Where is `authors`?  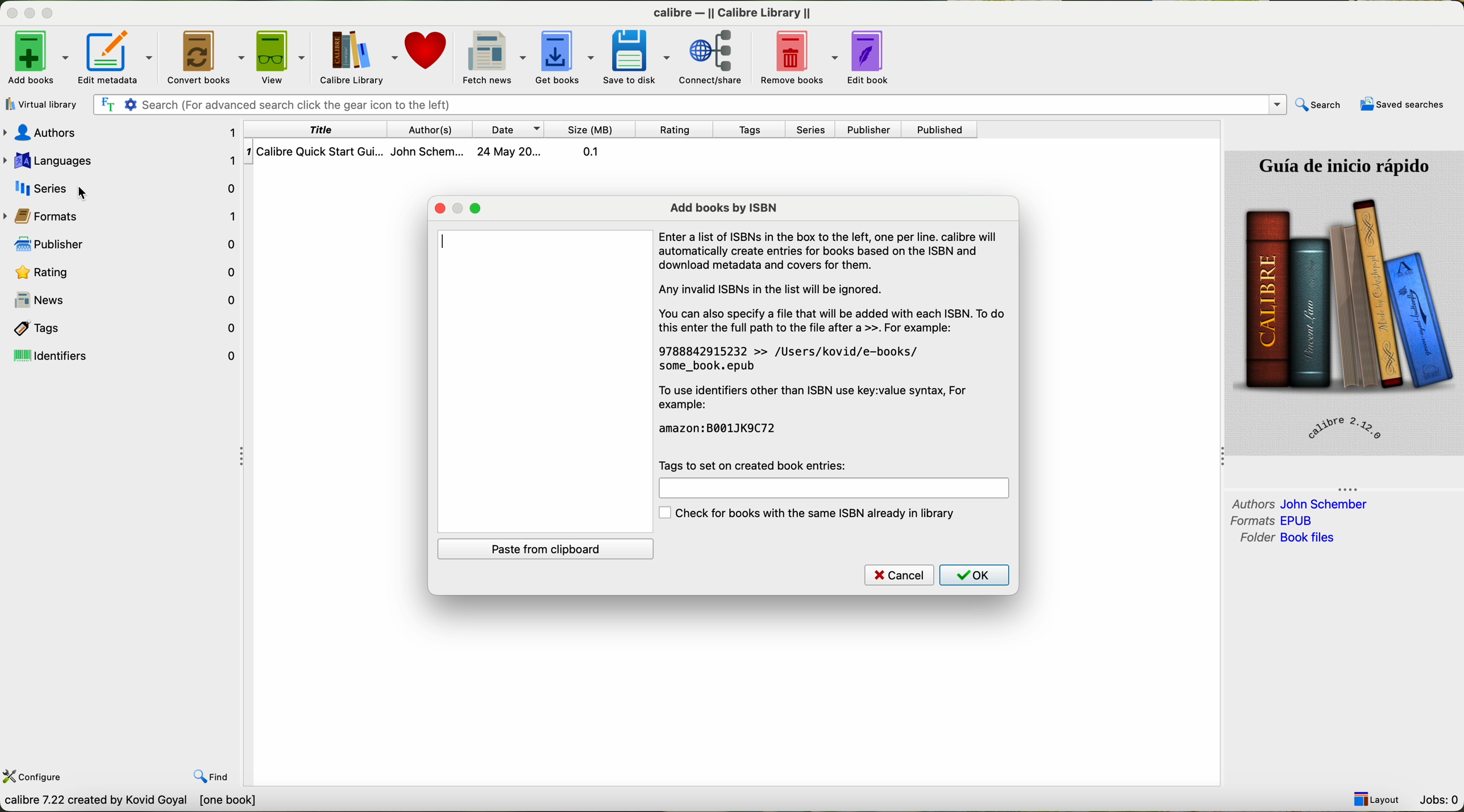
authors is located at coordinates (428, 128).